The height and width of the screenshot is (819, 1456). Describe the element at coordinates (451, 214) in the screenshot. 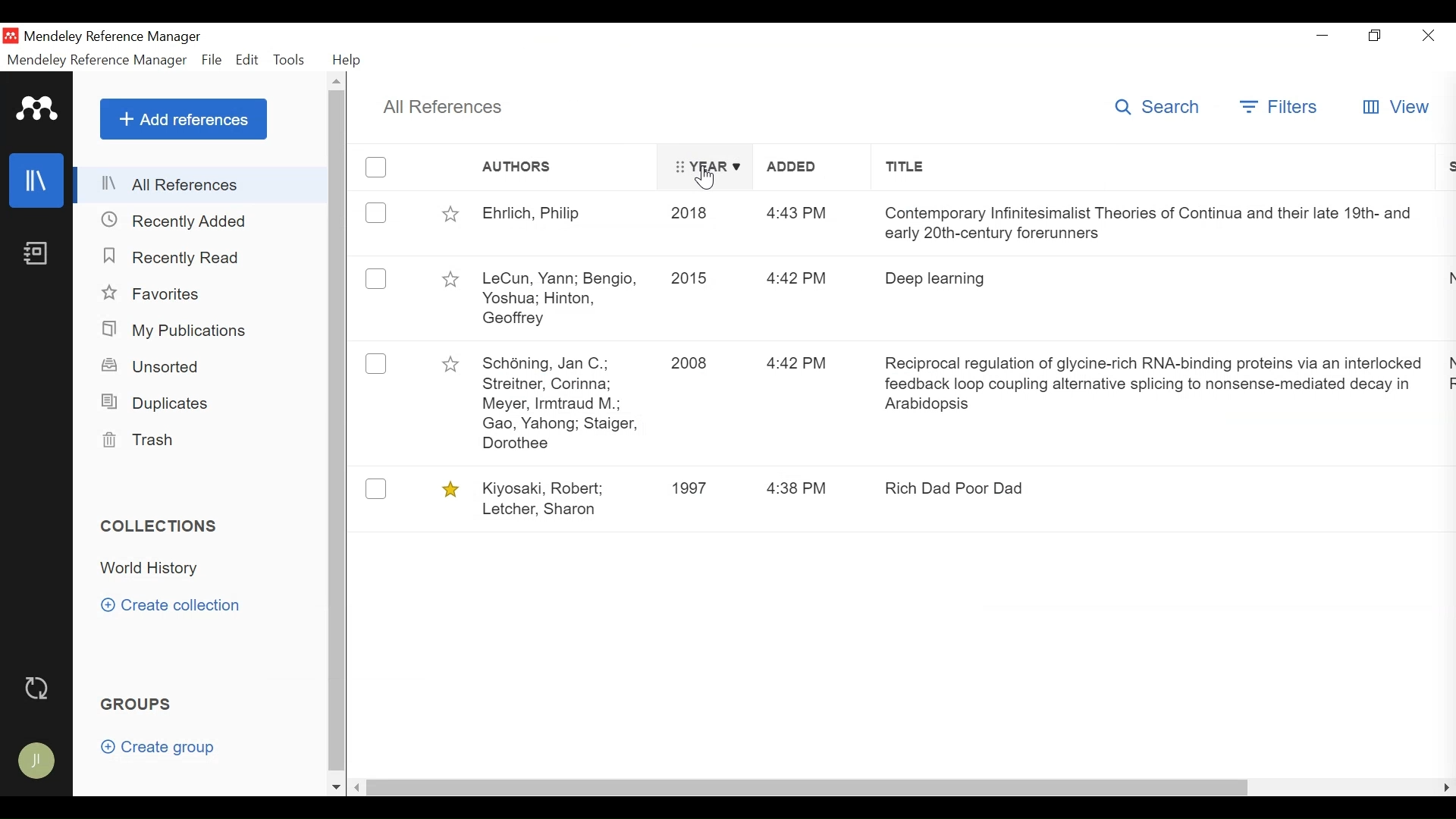

I see `(un)Select Favorites` at that location.